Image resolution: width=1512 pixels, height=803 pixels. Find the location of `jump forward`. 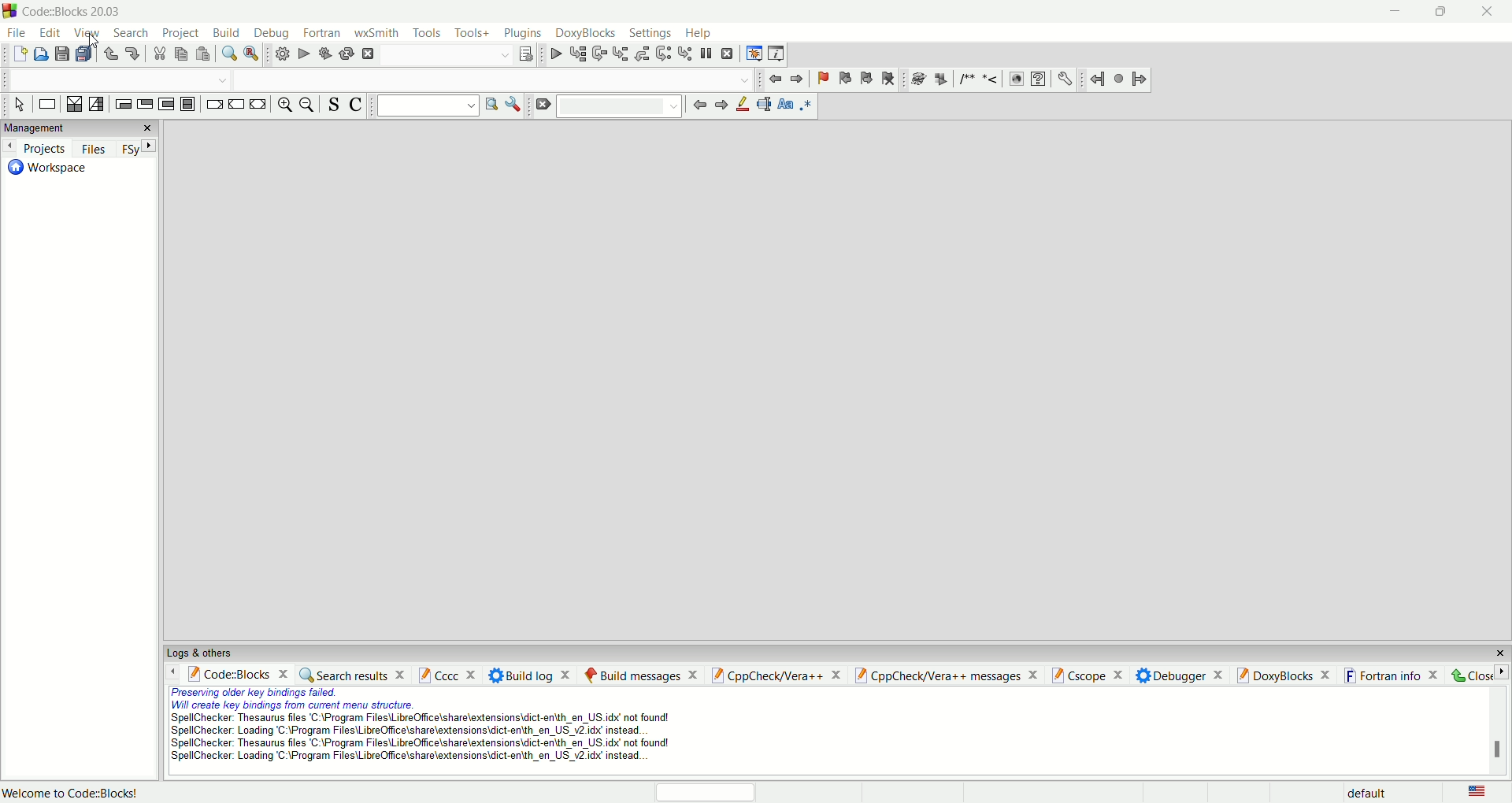

jump forward is located at coordinates (797, 78).